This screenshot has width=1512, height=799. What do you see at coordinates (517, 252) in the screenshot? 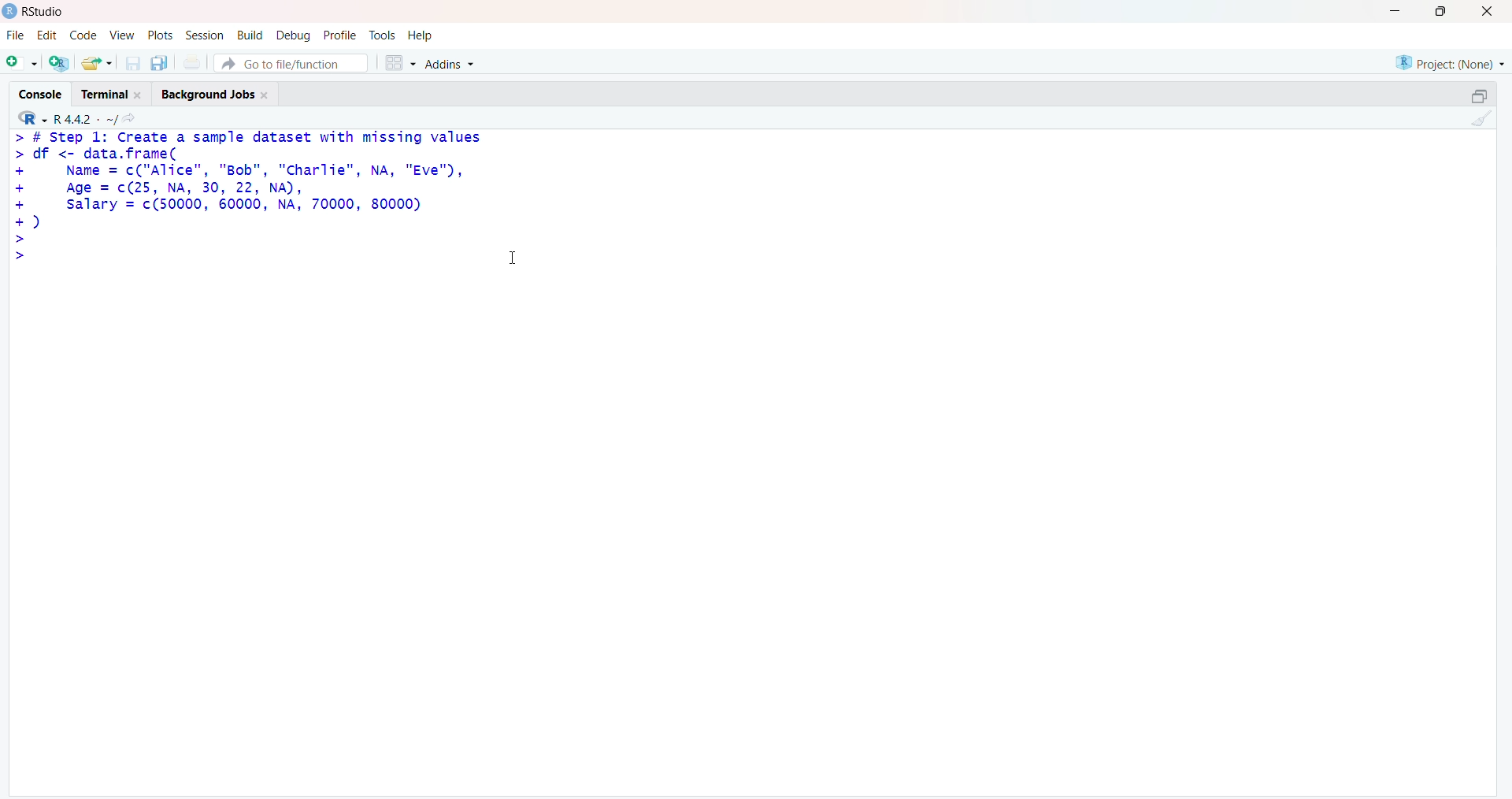
I see `Text cursor` at bounding box center [517, 252].